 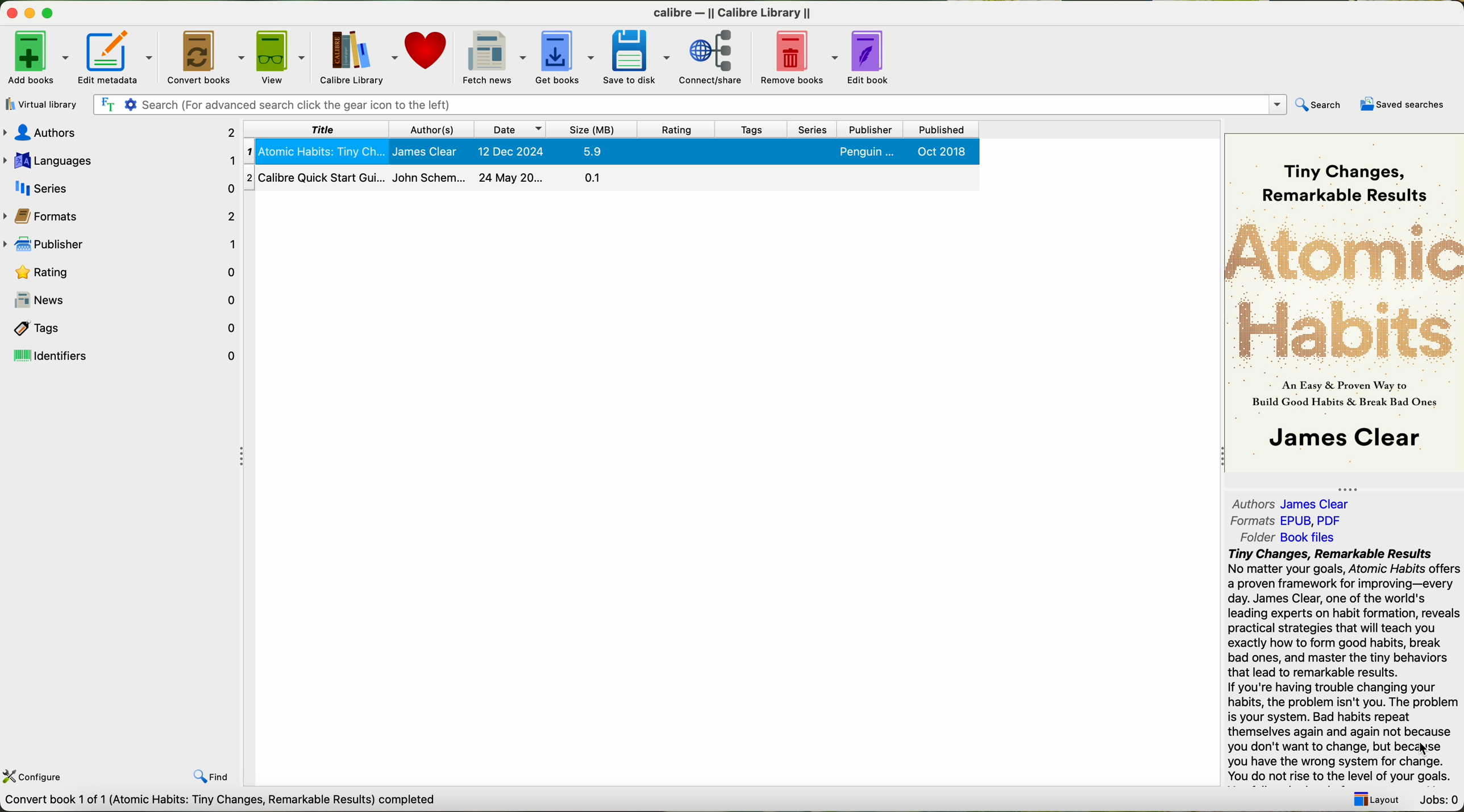 What do you see at coordinates (1376, 799) in the screenshot?
I see `layout` at bounding box center [1376, 799].